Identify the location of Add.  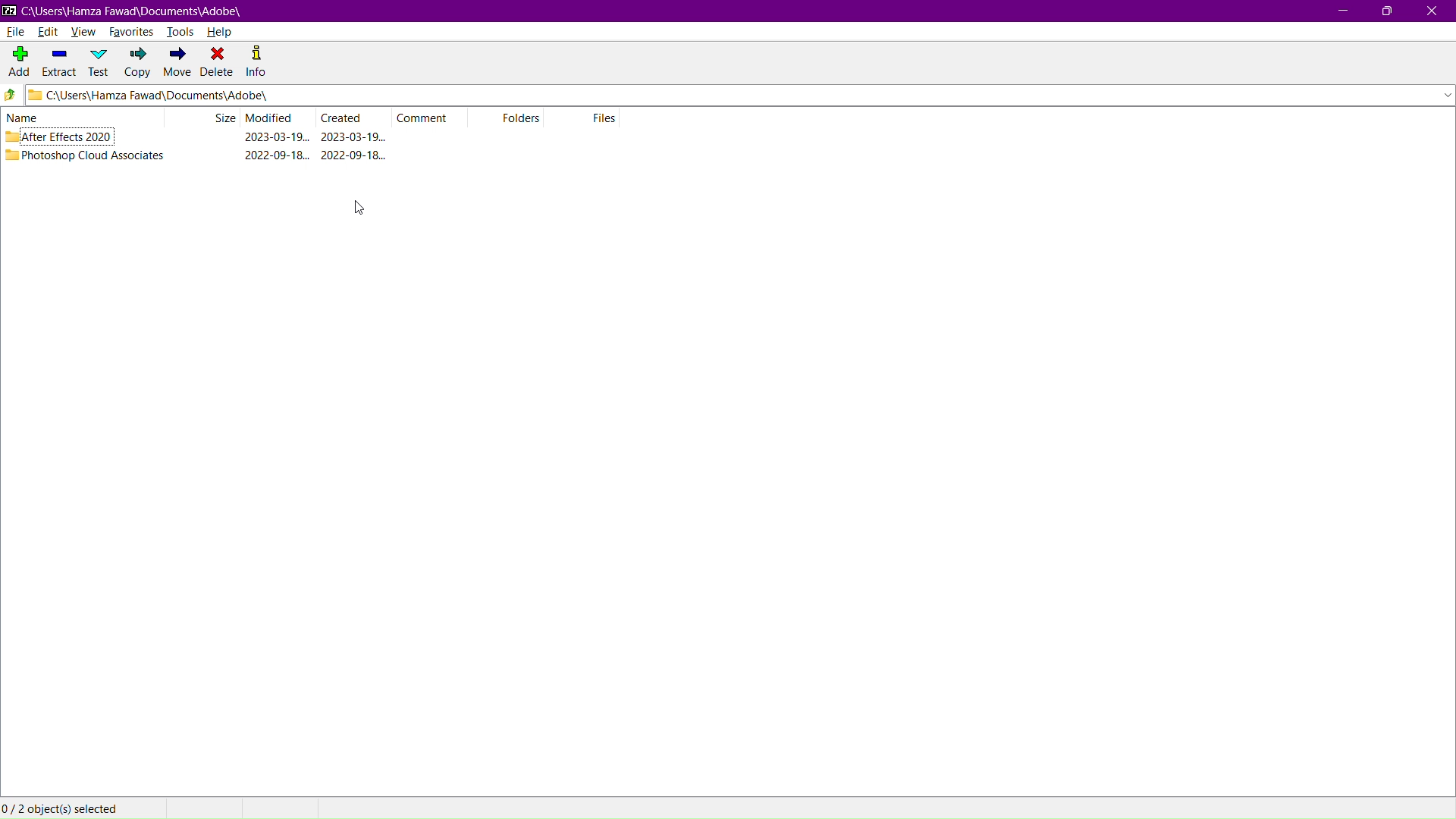
(17, 59).